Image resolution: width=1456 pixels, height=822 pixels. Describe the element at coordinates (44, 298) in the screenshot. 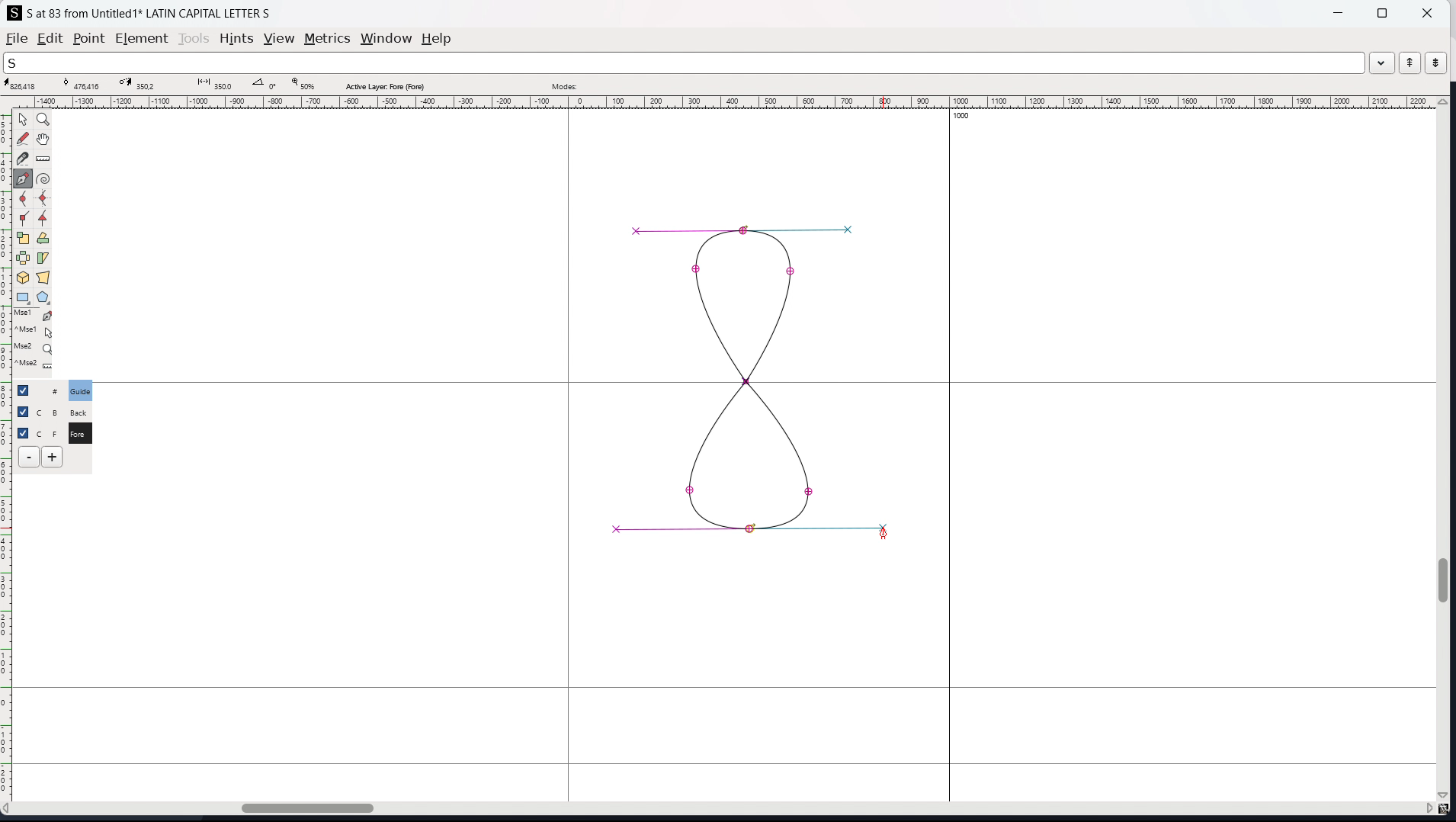

I see `polygon and stars` at that location.